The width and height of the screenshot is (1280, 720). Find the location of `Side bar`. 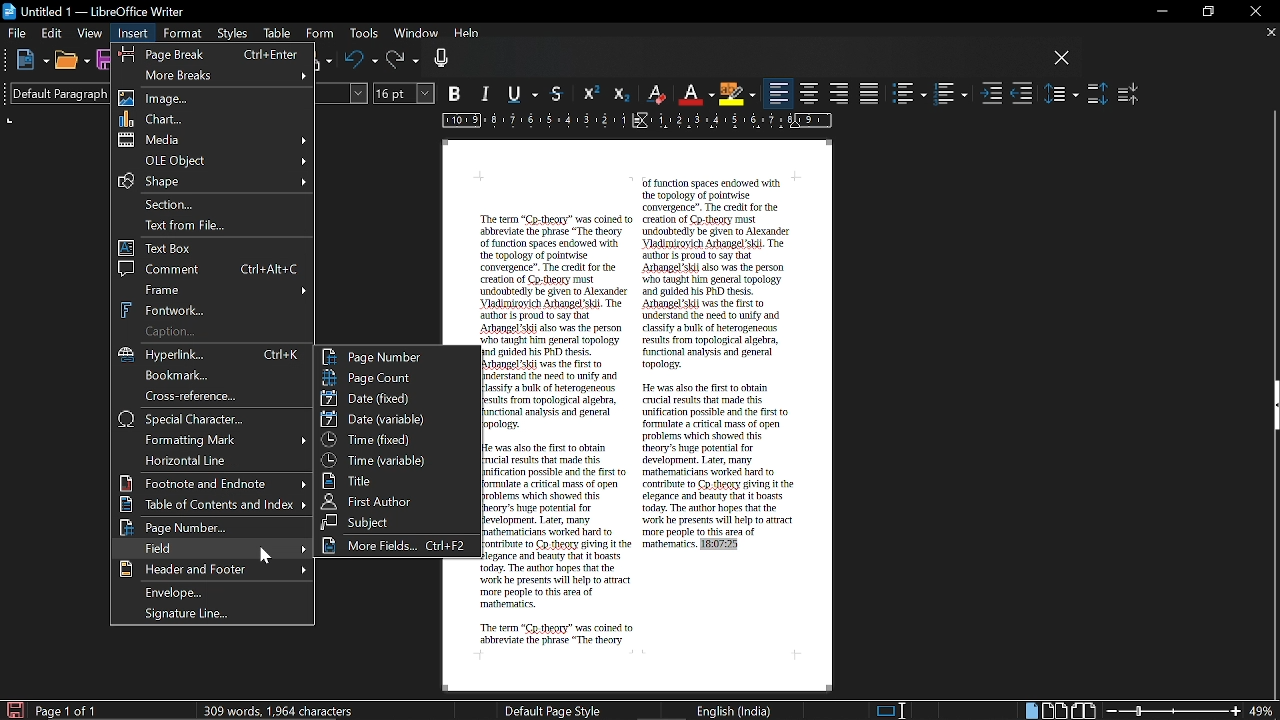

Side bar is located at coordinates (1272, 408).